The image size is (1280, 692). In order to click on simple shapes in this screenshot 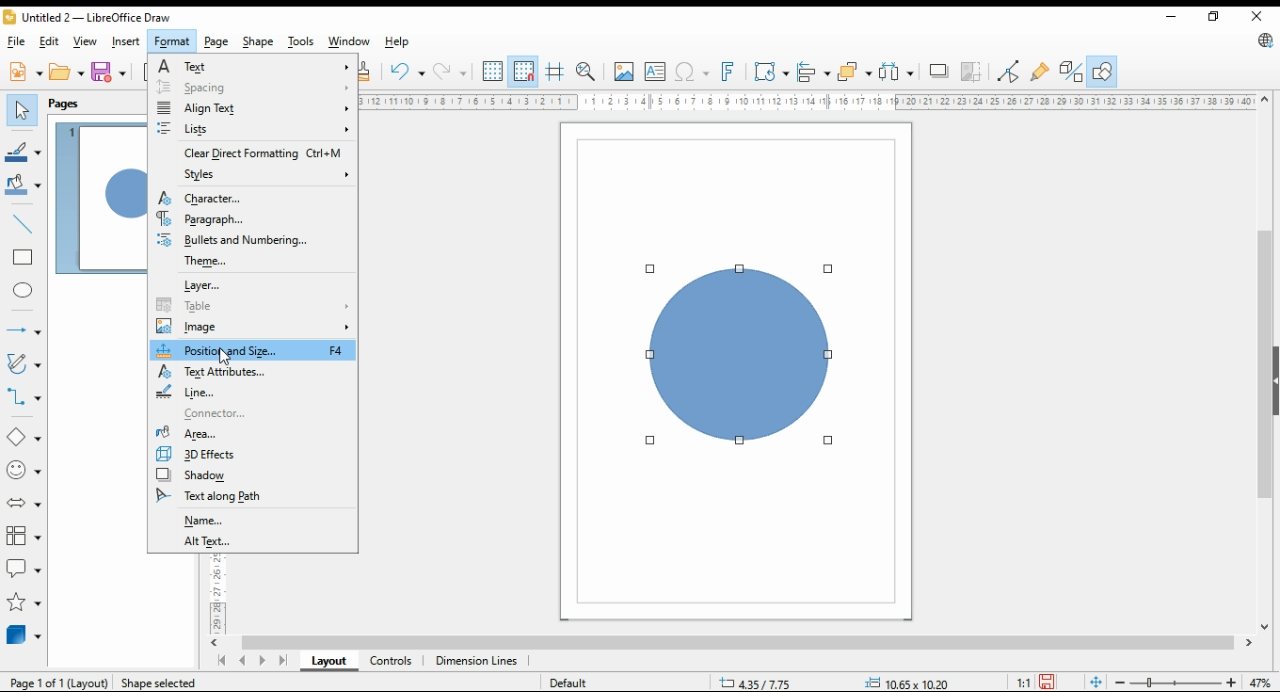, I will do `click(22, 436)`.